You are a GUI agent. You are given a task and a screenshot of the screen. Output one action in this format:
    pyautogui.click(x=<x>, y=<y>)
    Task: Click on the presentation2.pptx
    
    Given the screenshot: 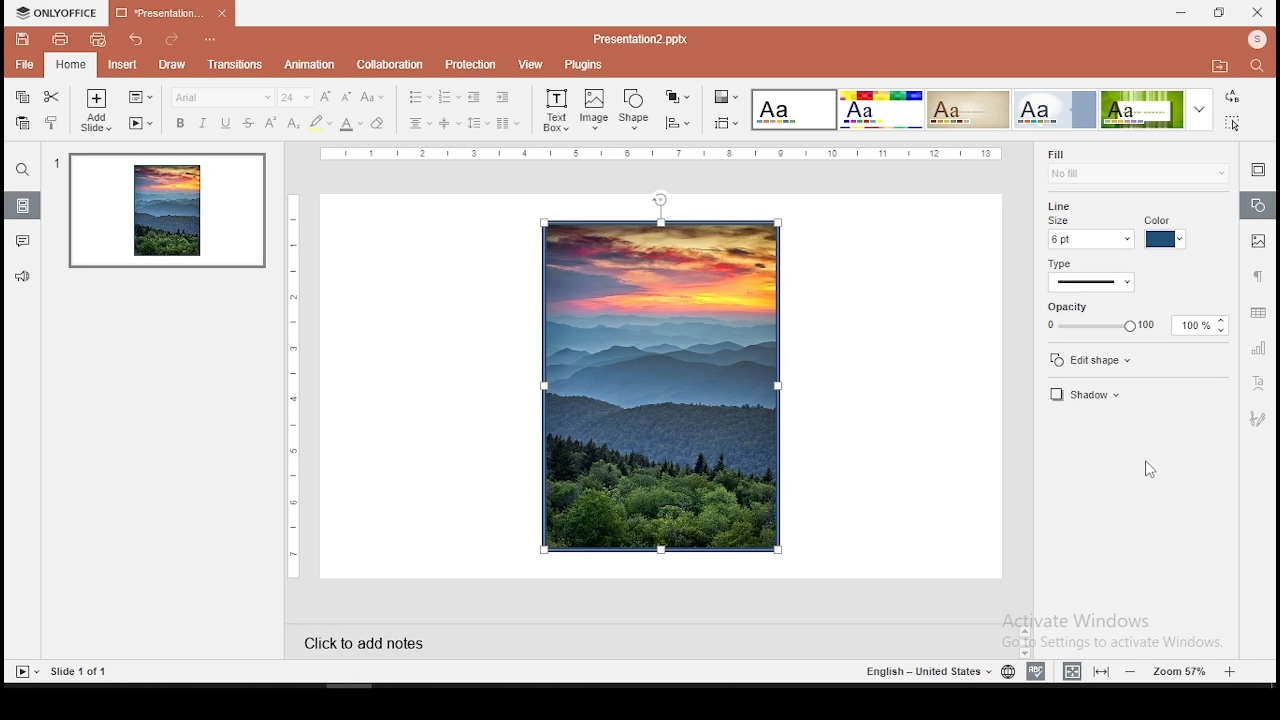 What is the action you would take?
    pyautogui.click(x=634, y=38)
    